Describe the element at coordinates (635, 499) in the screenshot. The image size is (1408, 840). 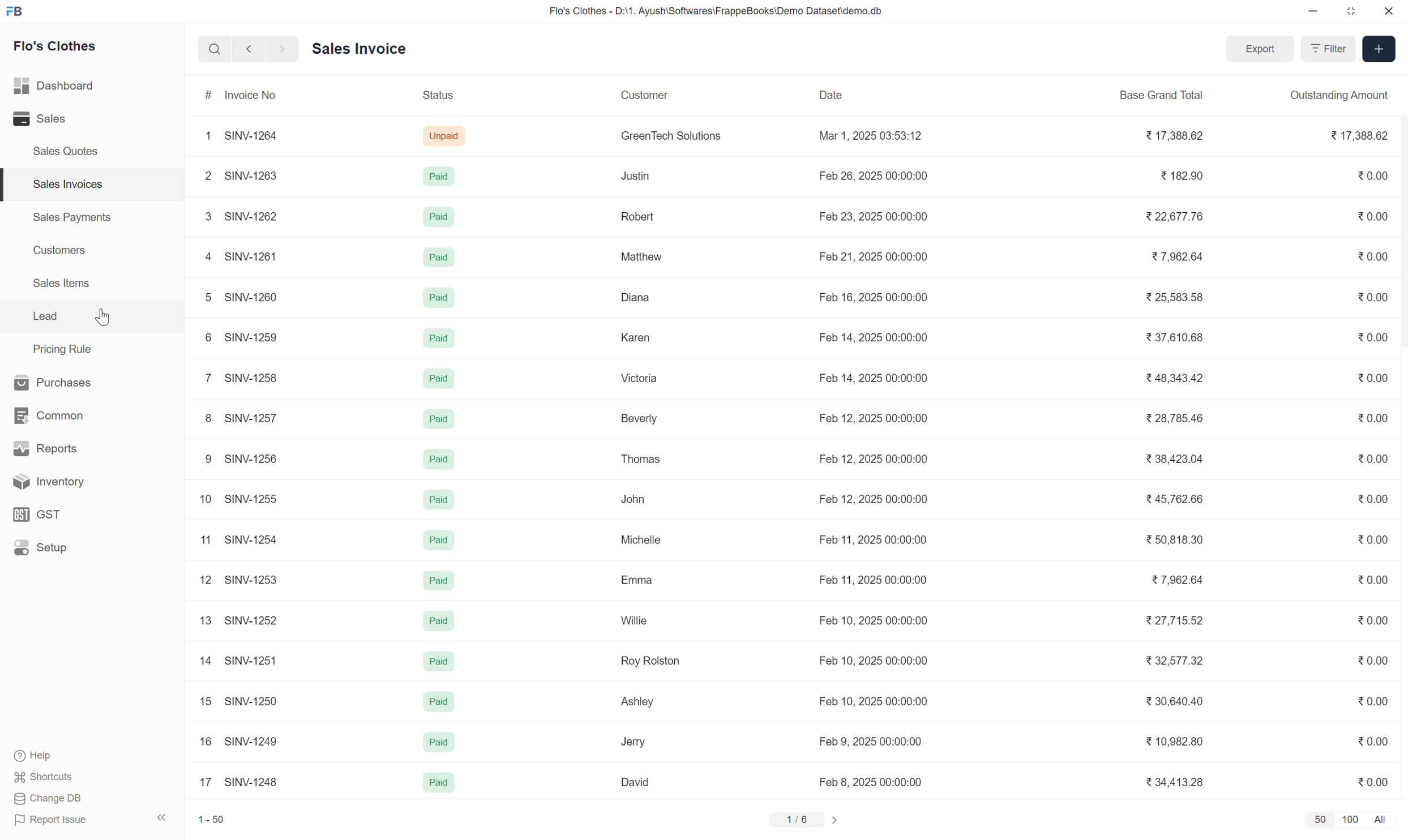
I see `John` at that location.